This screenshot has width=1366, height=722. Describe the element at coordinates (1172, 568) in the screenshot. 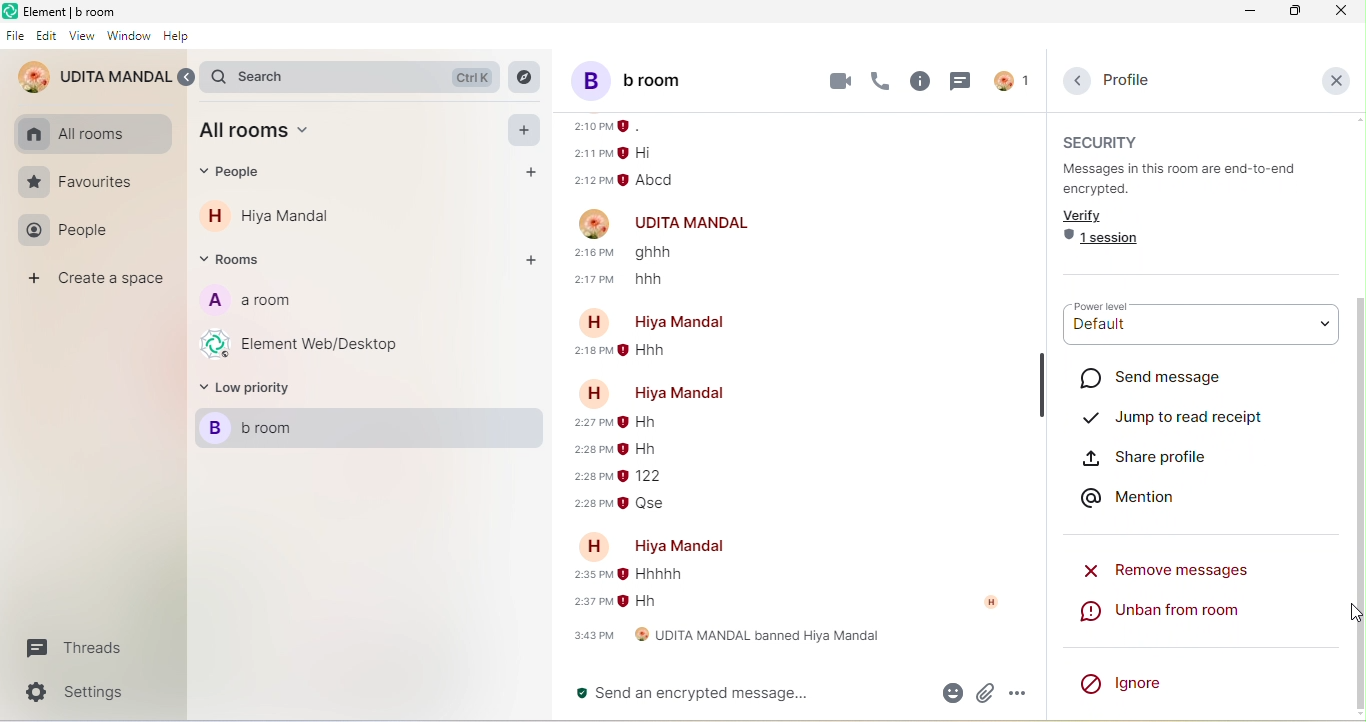

I see `remove messages` at that location.